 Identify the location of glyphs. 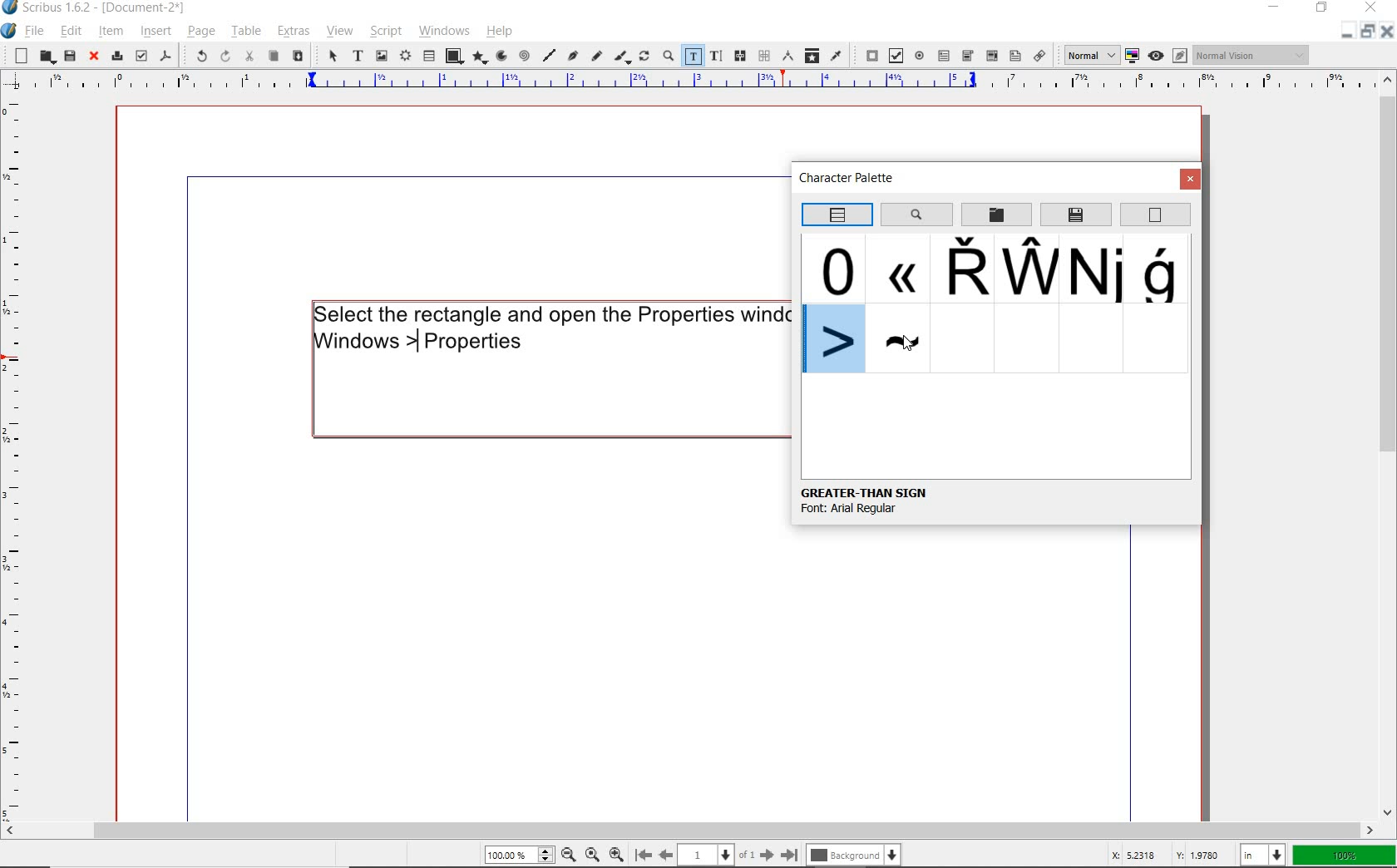
(1097, 270).